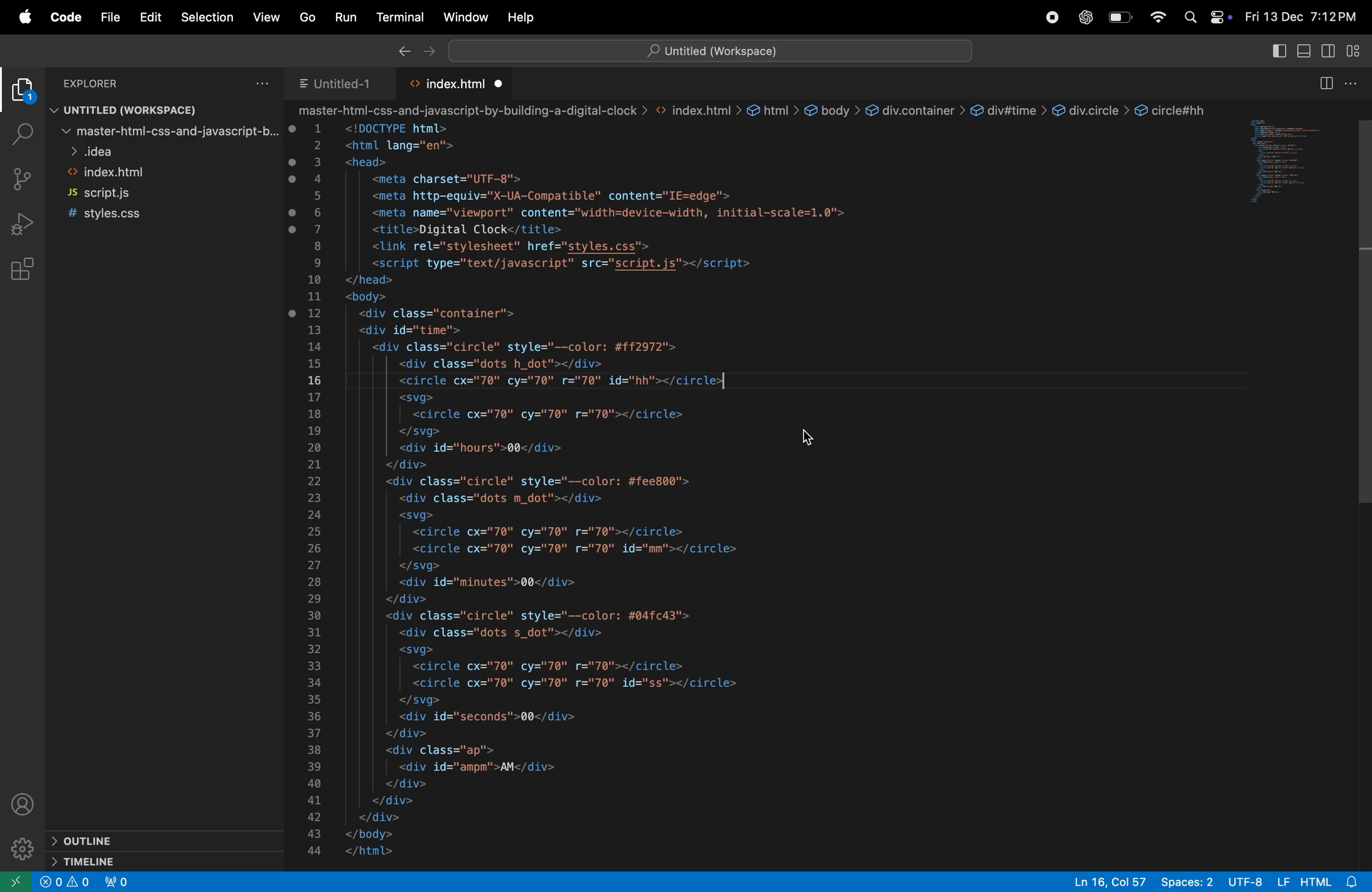 This screenshot has height=892, width=1372. What do you see at coordinates (1330, 52) in the screenshot?
I see `toggle secondary side bar` at bounding box center [1330, 52].